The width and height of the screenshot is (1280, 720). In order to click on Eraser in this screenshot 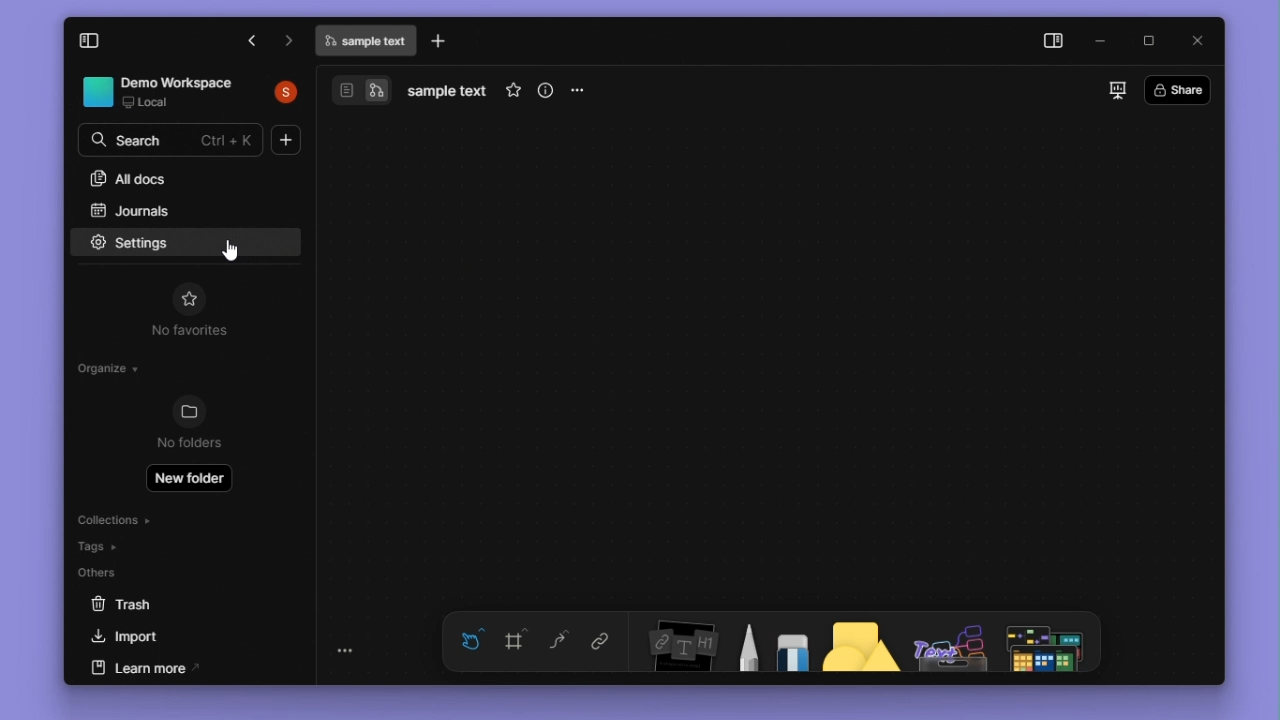, I will do `click(788, 642)`.